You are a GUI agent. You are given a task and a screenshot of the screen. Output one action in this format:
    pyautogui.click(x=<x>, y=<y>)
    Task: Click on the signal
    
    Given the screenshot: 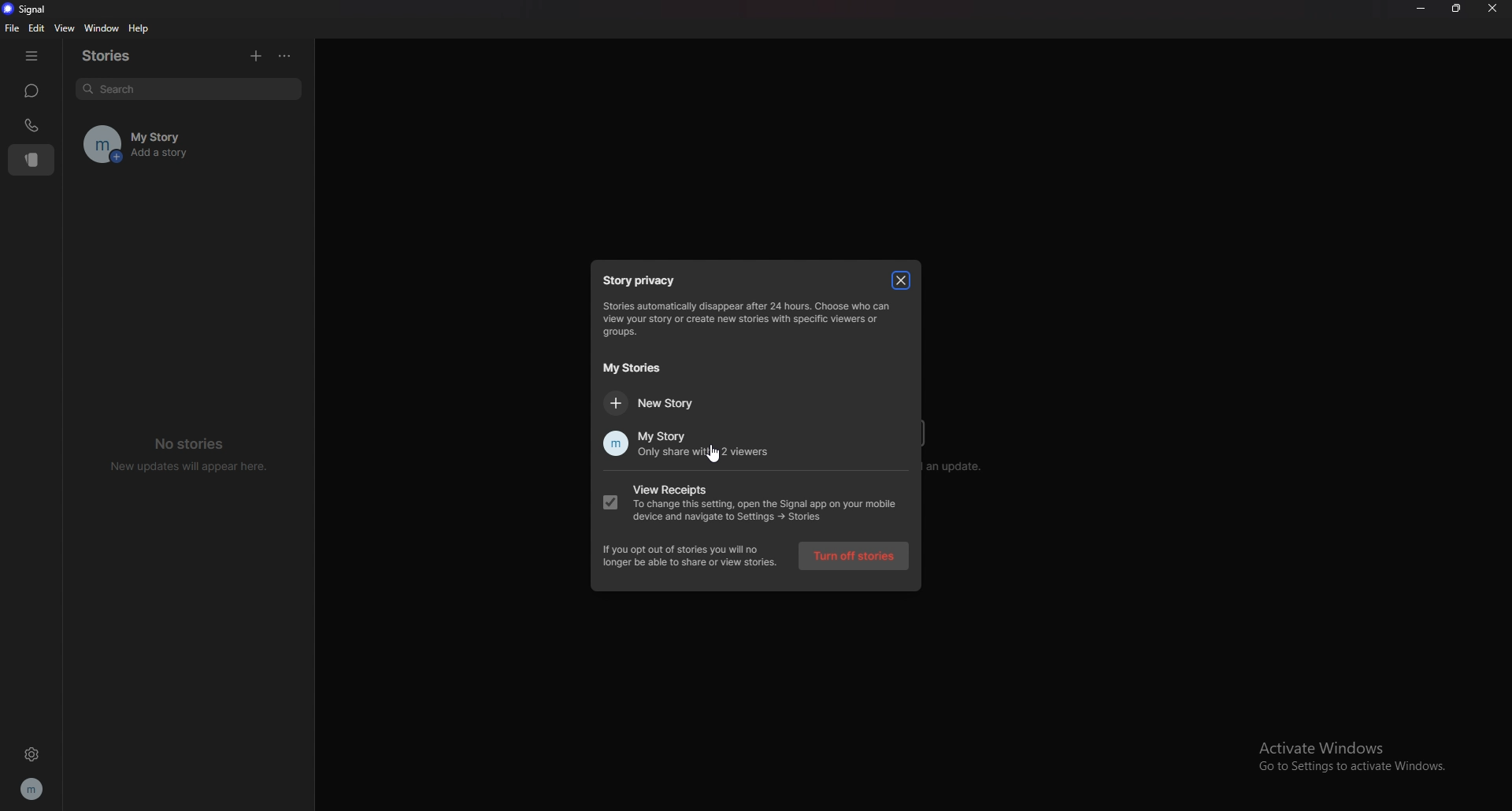 What is the action you would take?
    pyautogui.click(x=25, y=9)
    